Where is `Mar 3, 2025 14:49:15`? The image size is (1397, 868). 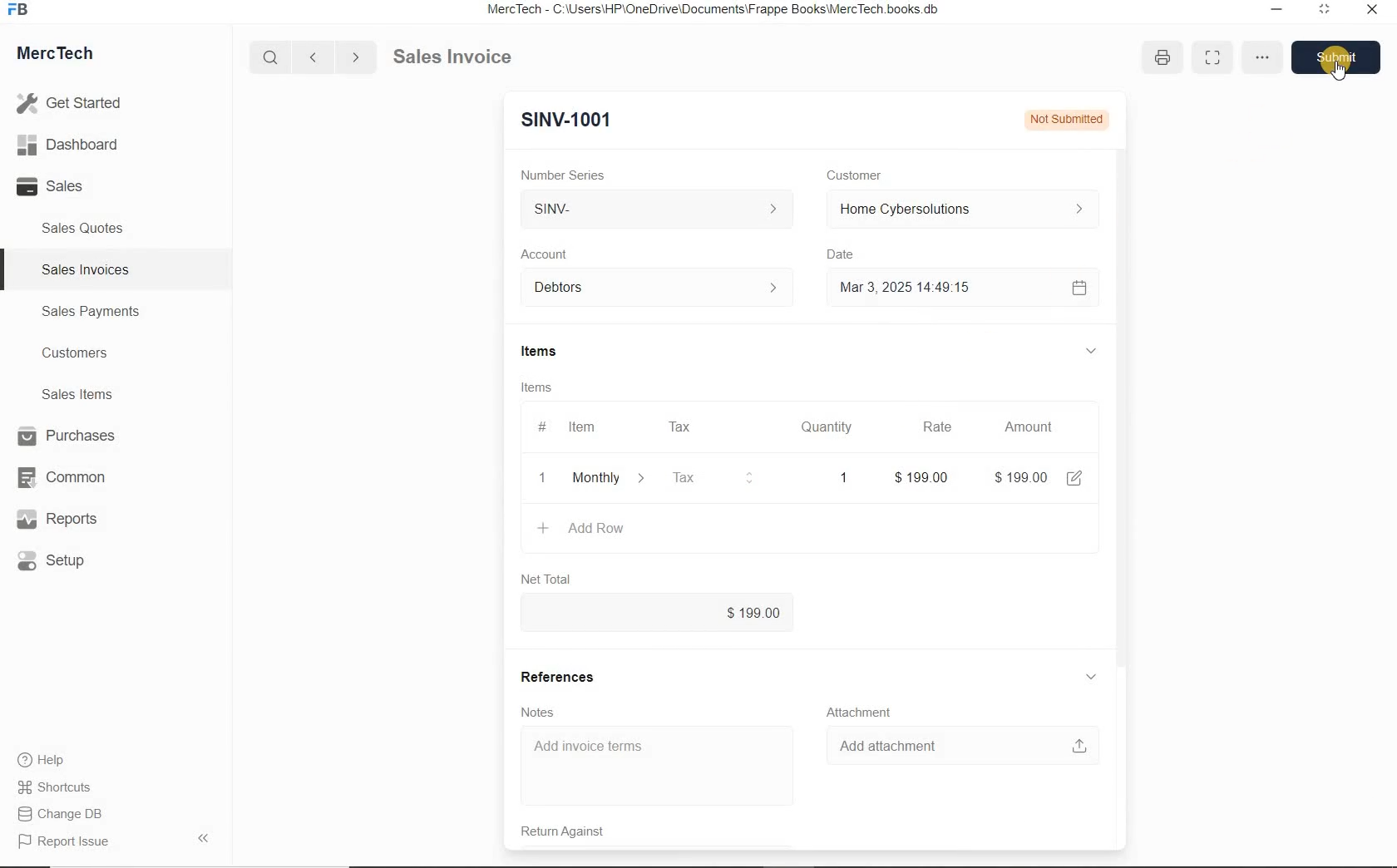
Mar 3, 2025 14:49:15 is located at coordinates (910, 287).